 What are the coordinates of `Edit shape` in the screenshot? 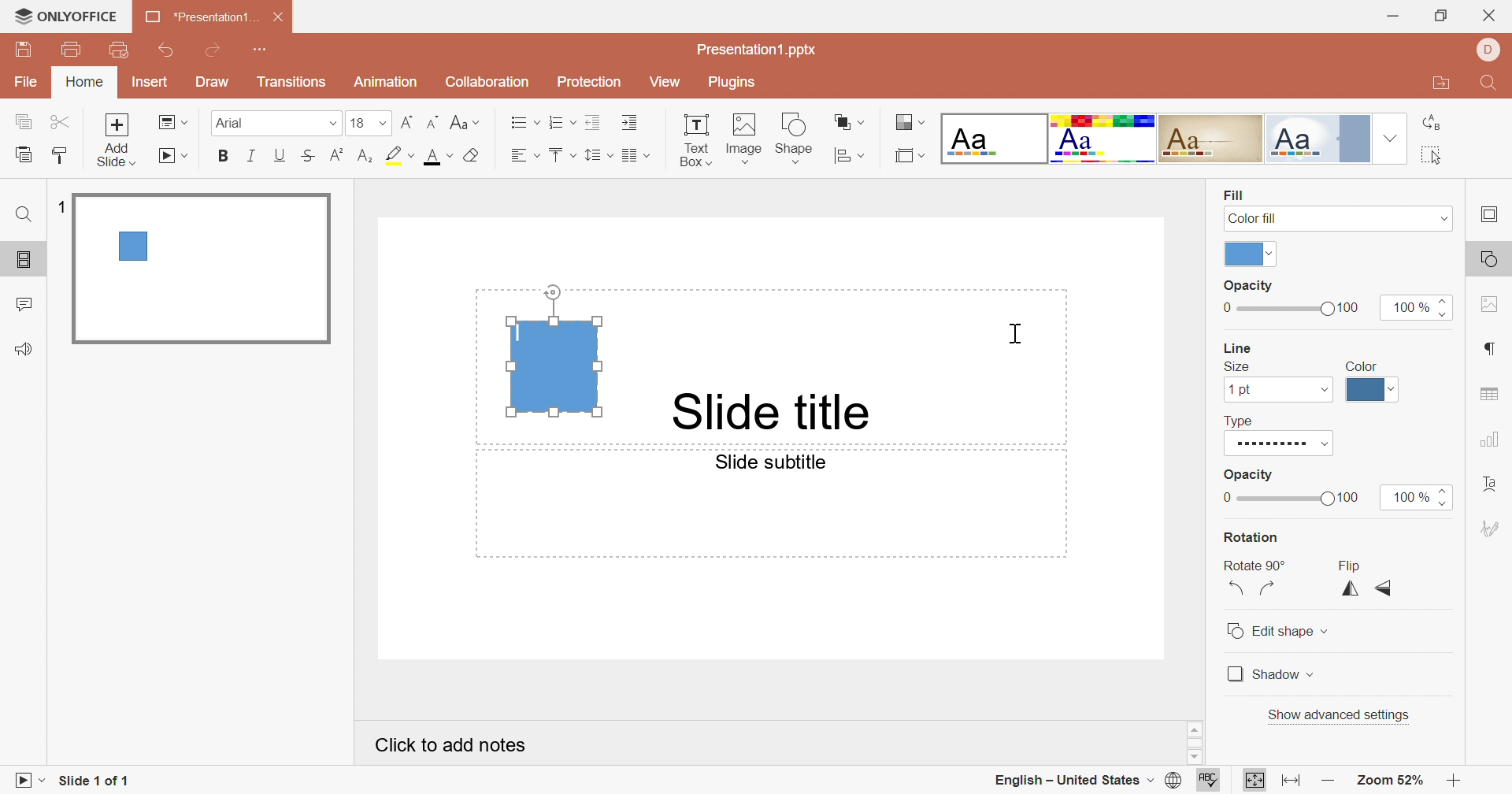 It's located at (1269, 631).